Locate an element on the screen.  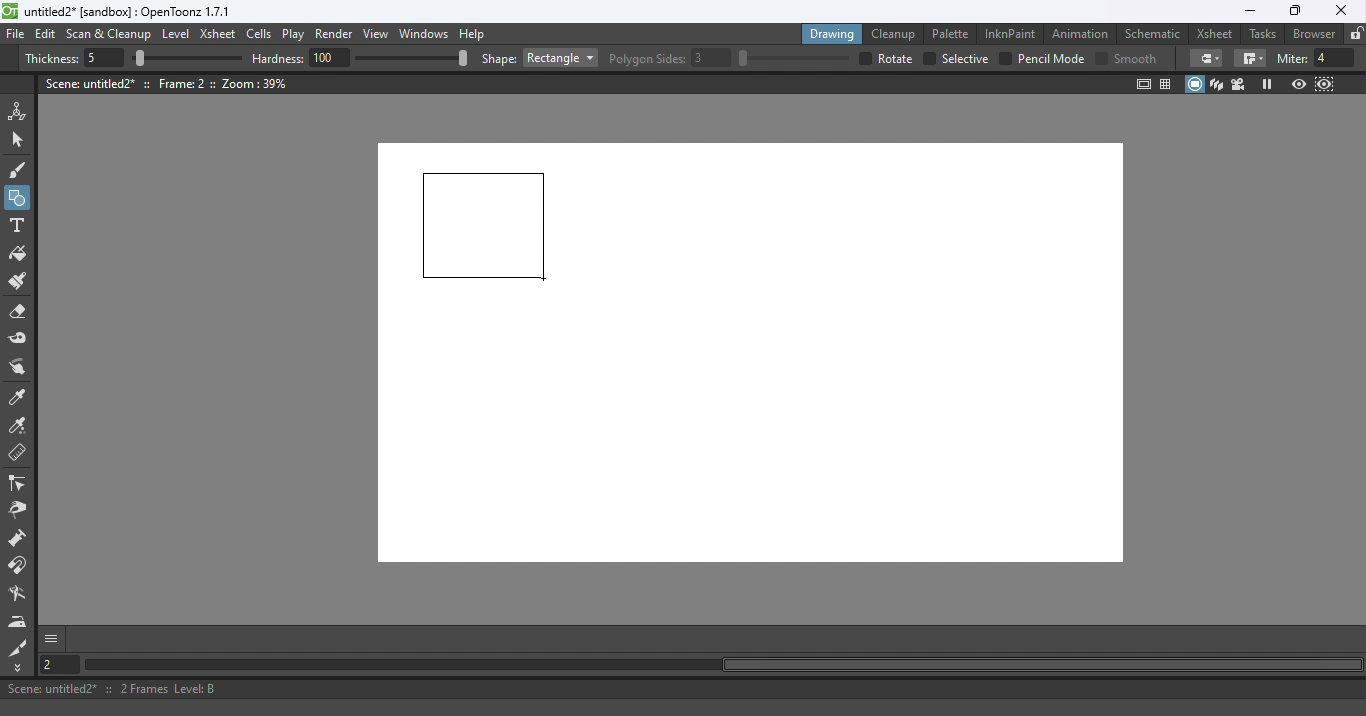
Selection tool is located at coordinates (21, 139).